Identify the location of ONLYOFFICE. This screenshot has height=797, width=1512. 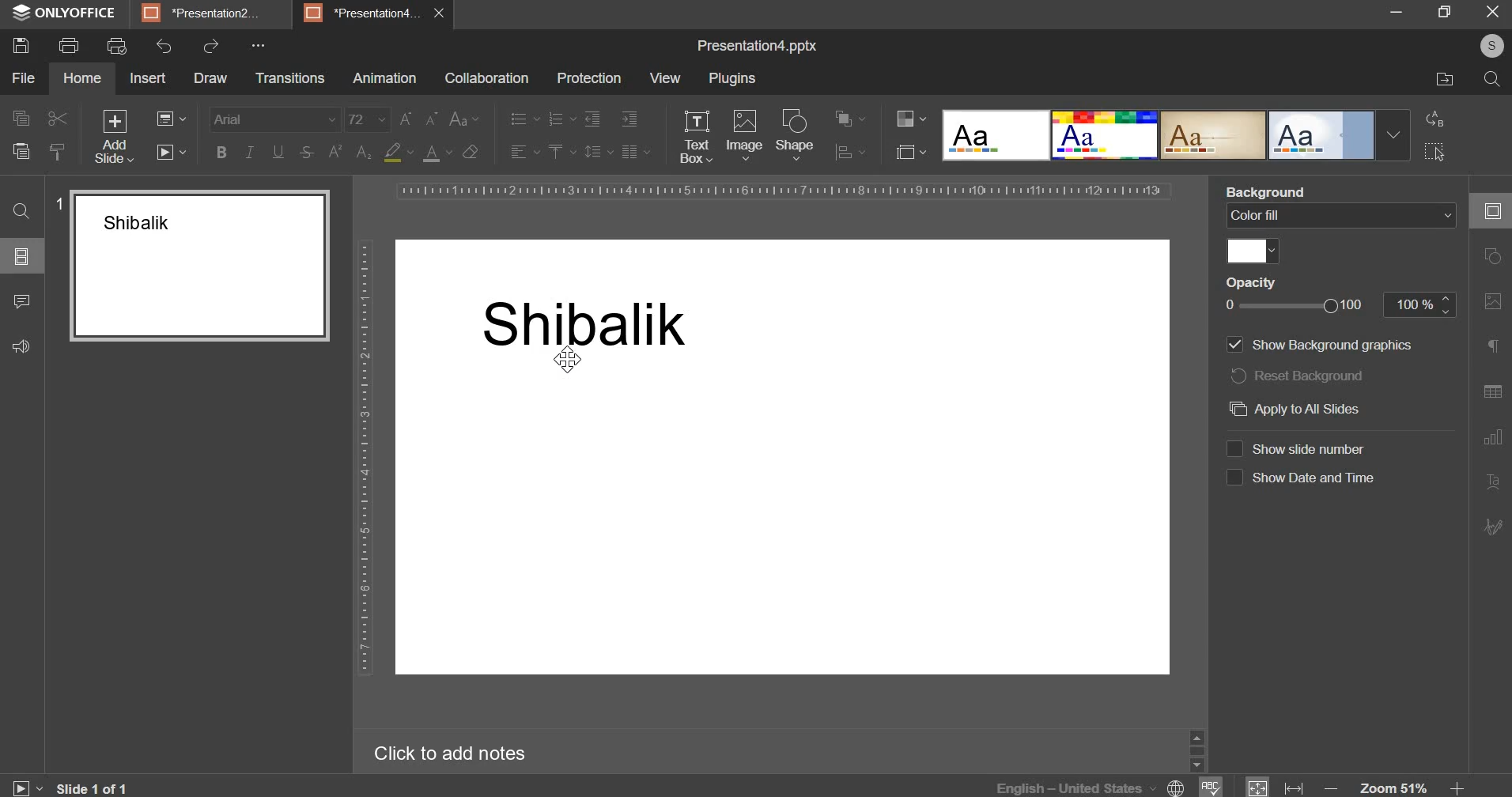
(81, 13).